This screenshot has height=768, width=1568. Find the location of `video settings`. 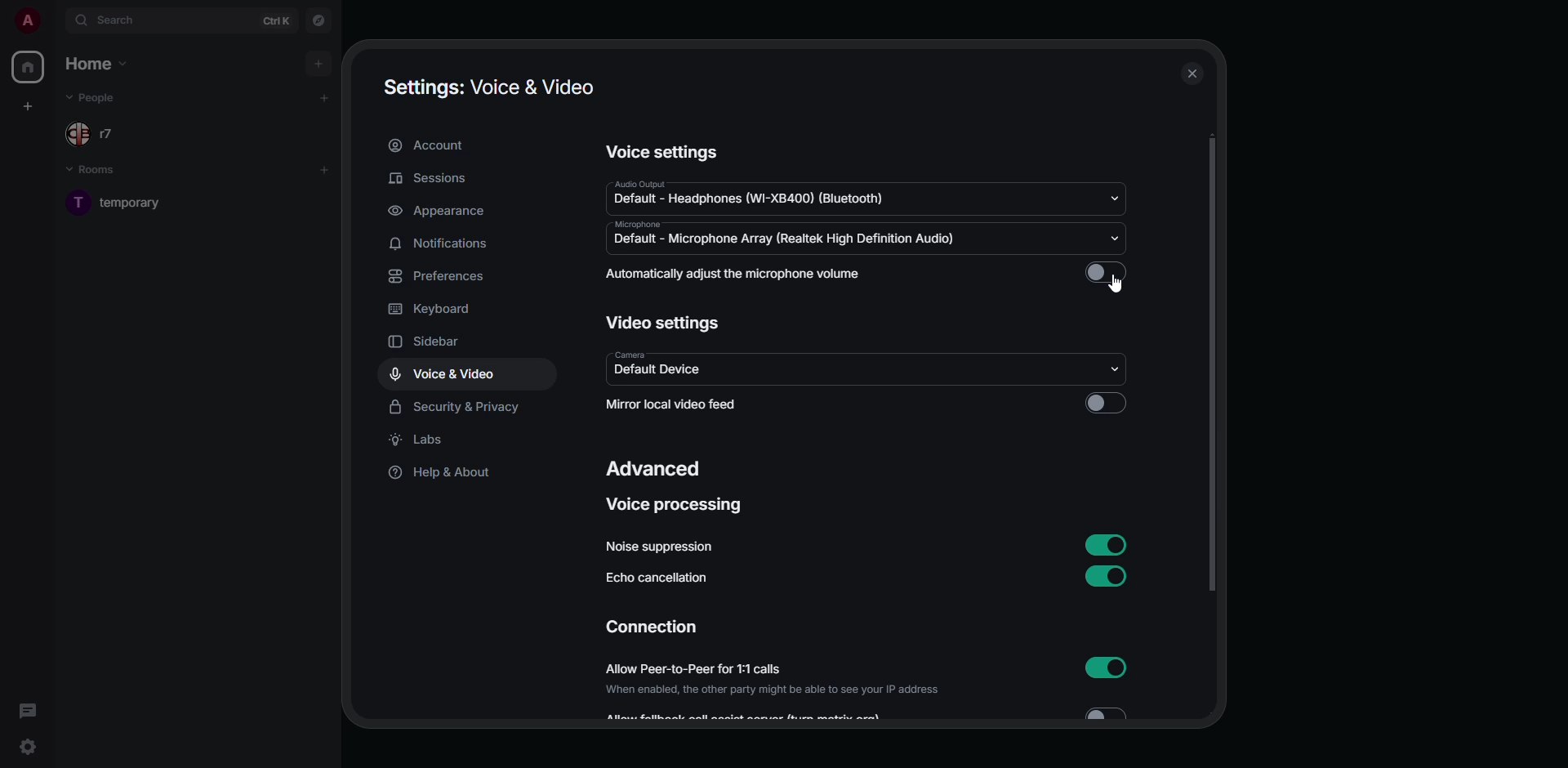

video settings is located at coordinates (662, 321).